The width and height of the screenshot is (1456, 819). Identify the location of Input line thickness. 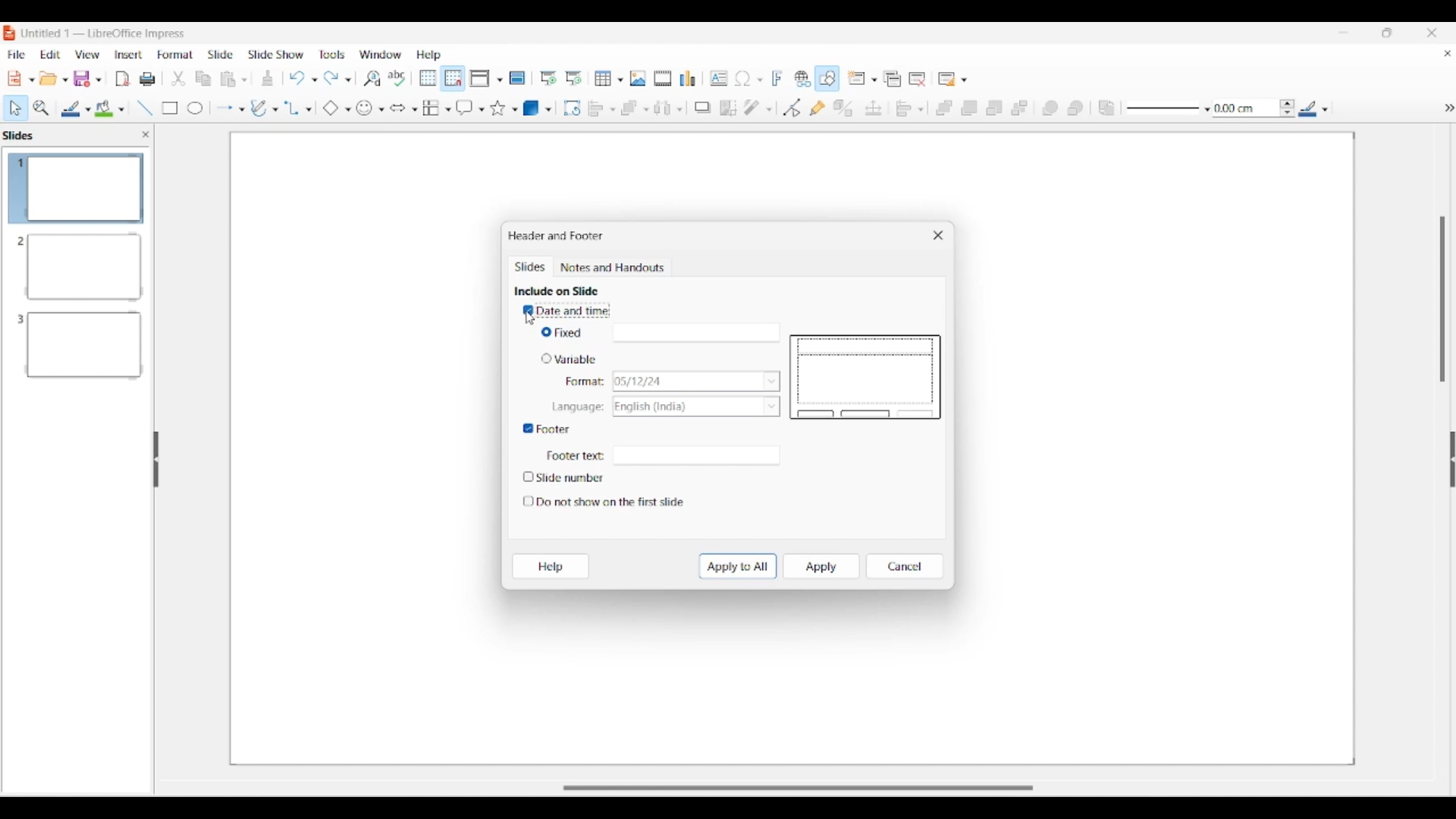
(1245, 108).